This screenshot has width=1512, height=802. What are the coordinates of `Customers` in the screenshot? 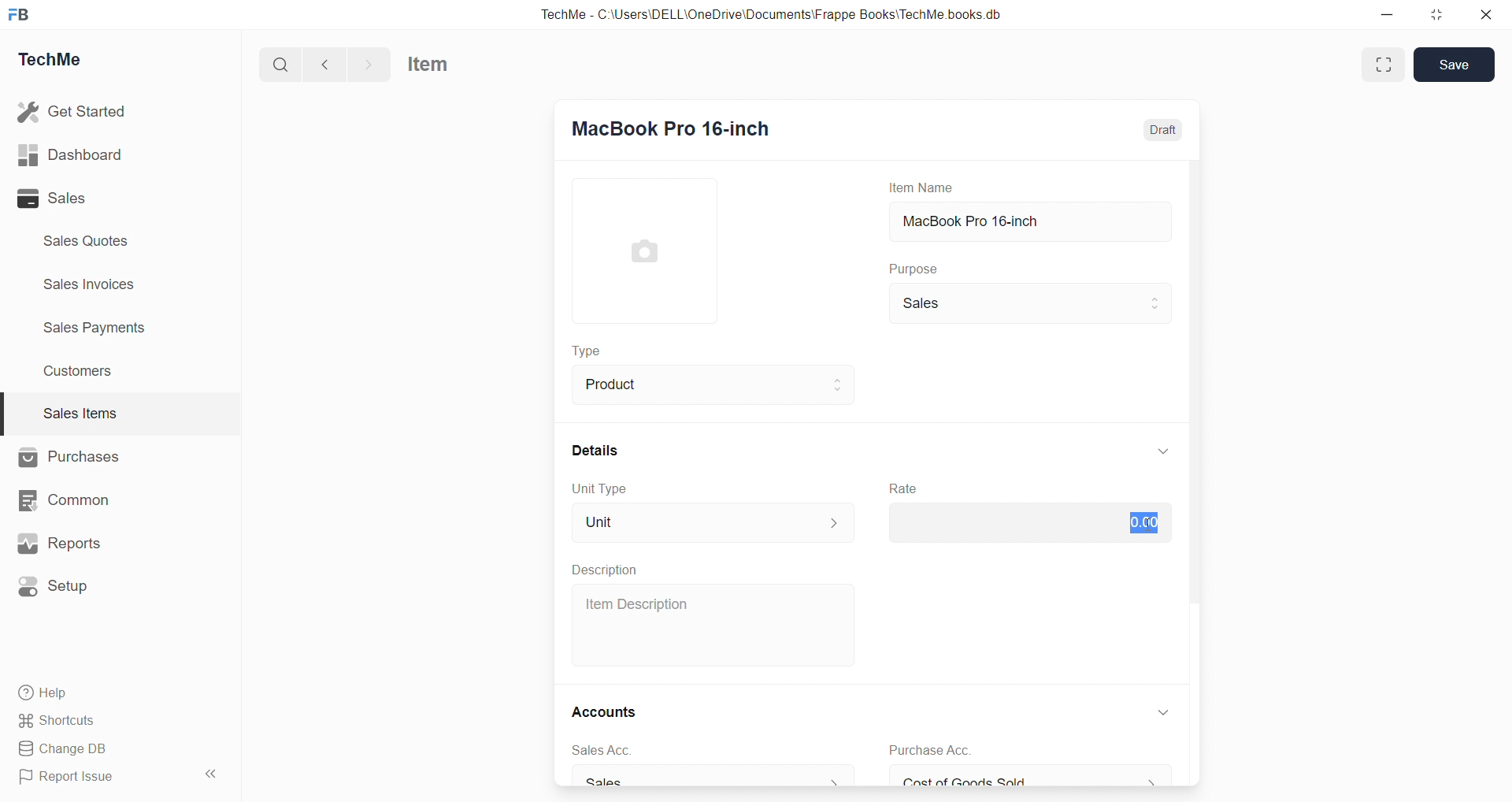 It's located at (80, 373).